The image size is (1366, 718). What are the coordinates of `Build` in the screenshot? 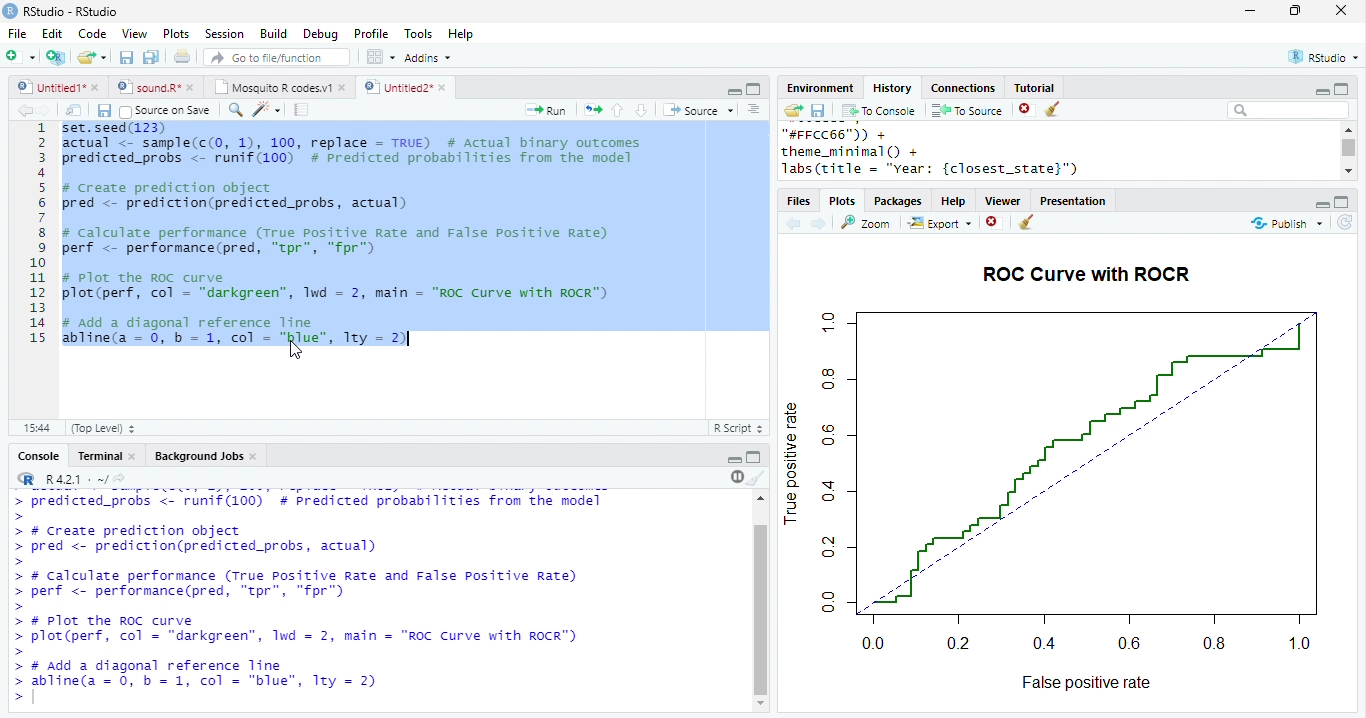 It's located at (273, 34).